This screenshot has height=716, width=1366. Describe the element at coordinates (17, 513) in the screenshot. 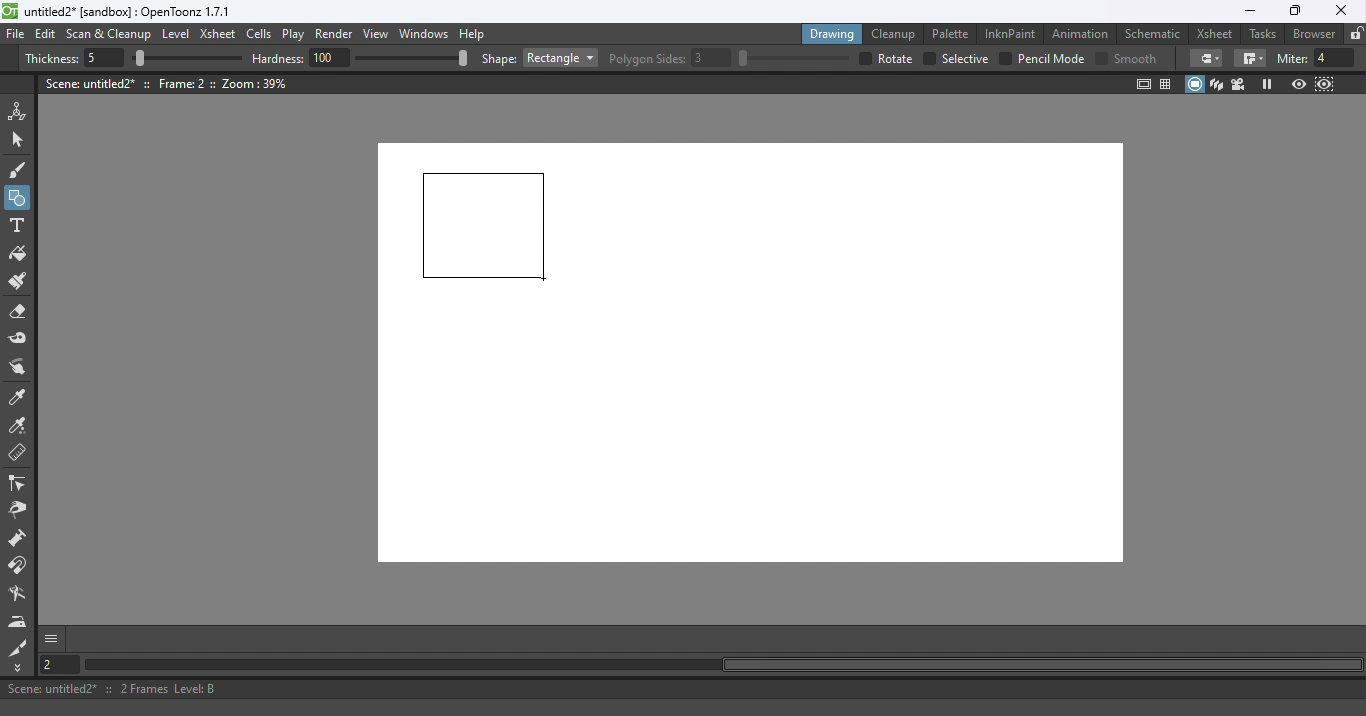

I see `Pinch tool` at that location.